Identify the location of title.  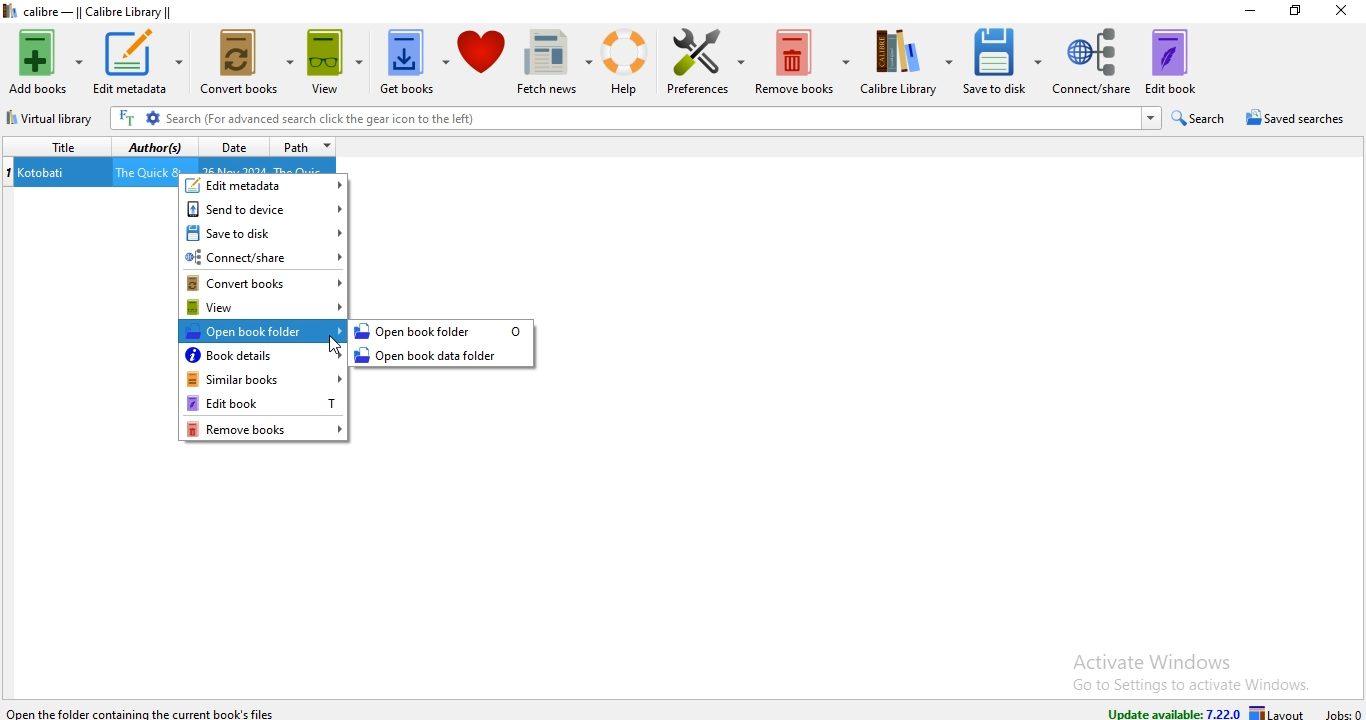
(55, 147).